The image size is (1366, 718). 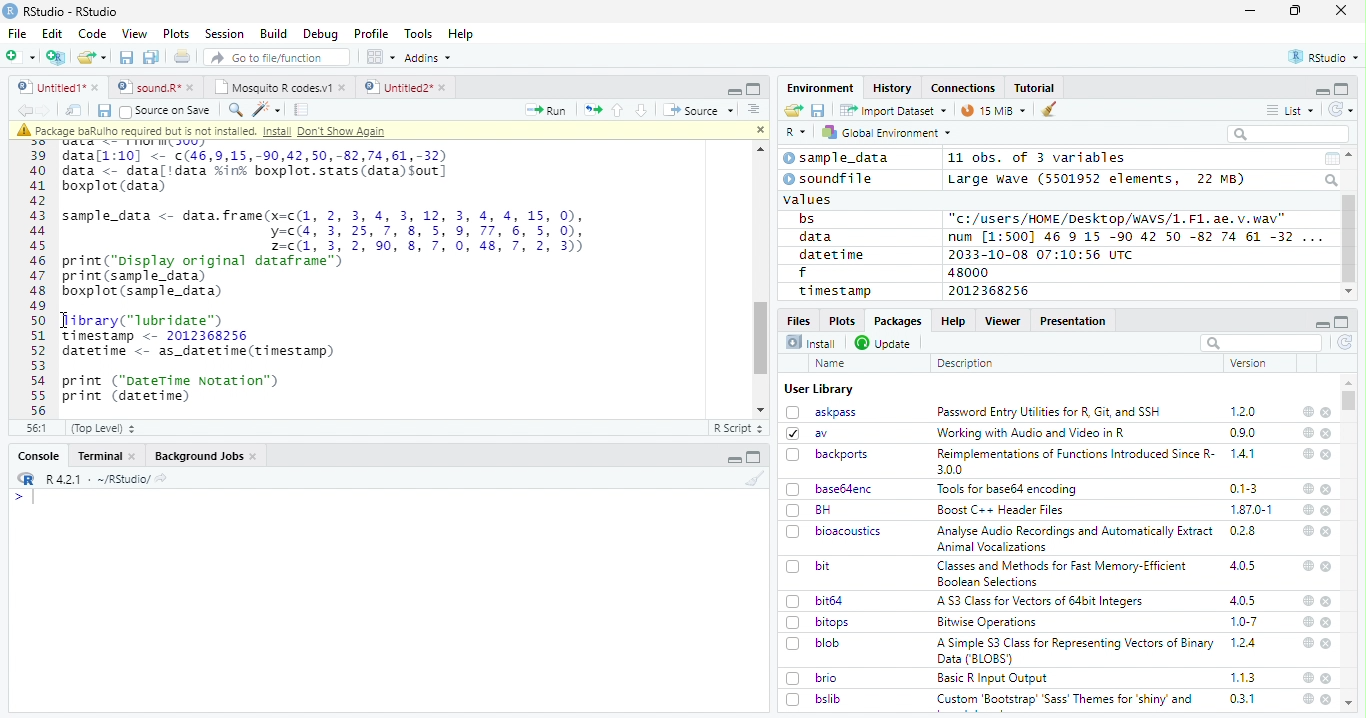 I want to click on close, so click(x=1328, y=510).